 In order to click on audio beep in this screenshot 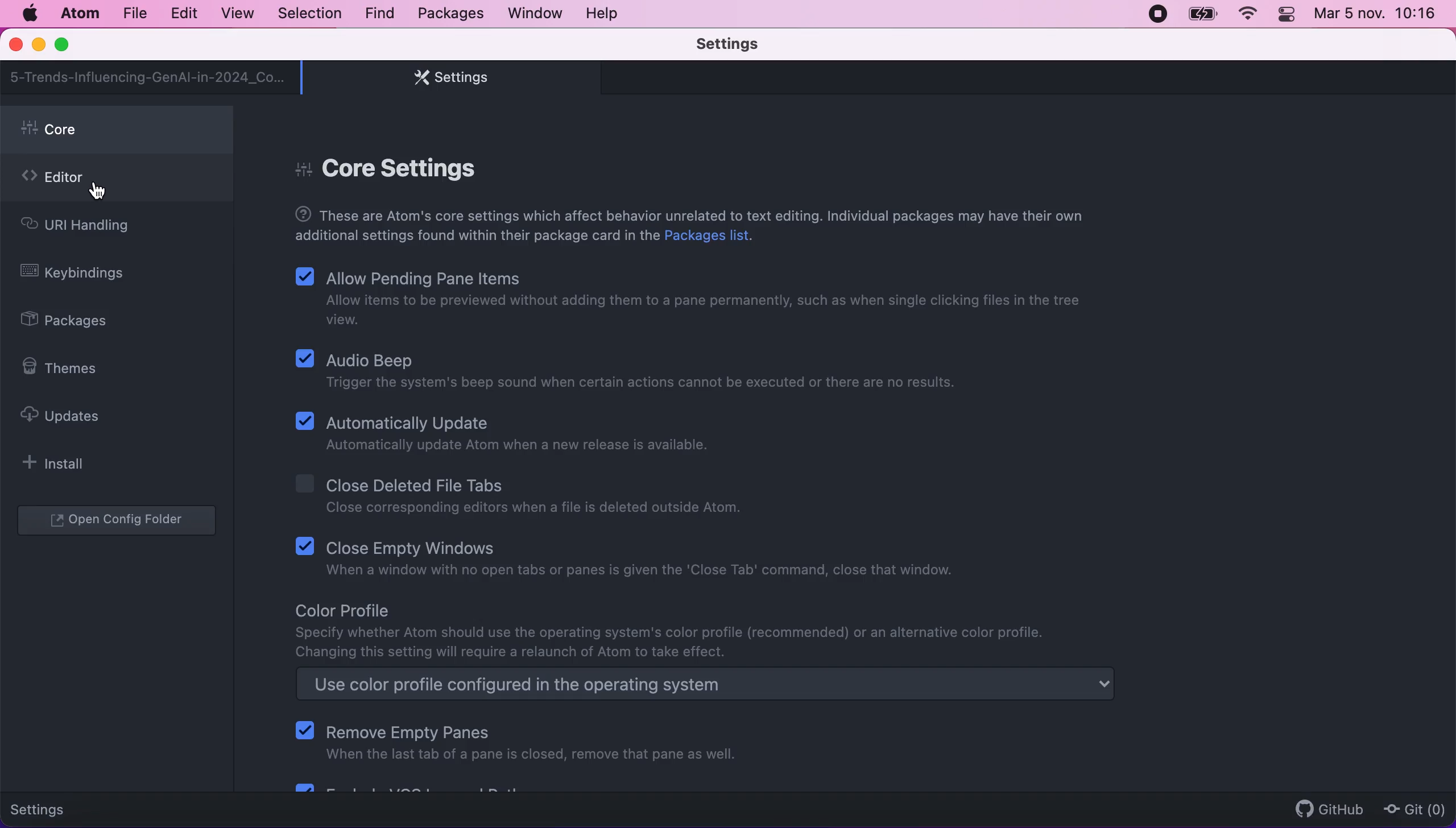, I will do `click(646, 370)`.